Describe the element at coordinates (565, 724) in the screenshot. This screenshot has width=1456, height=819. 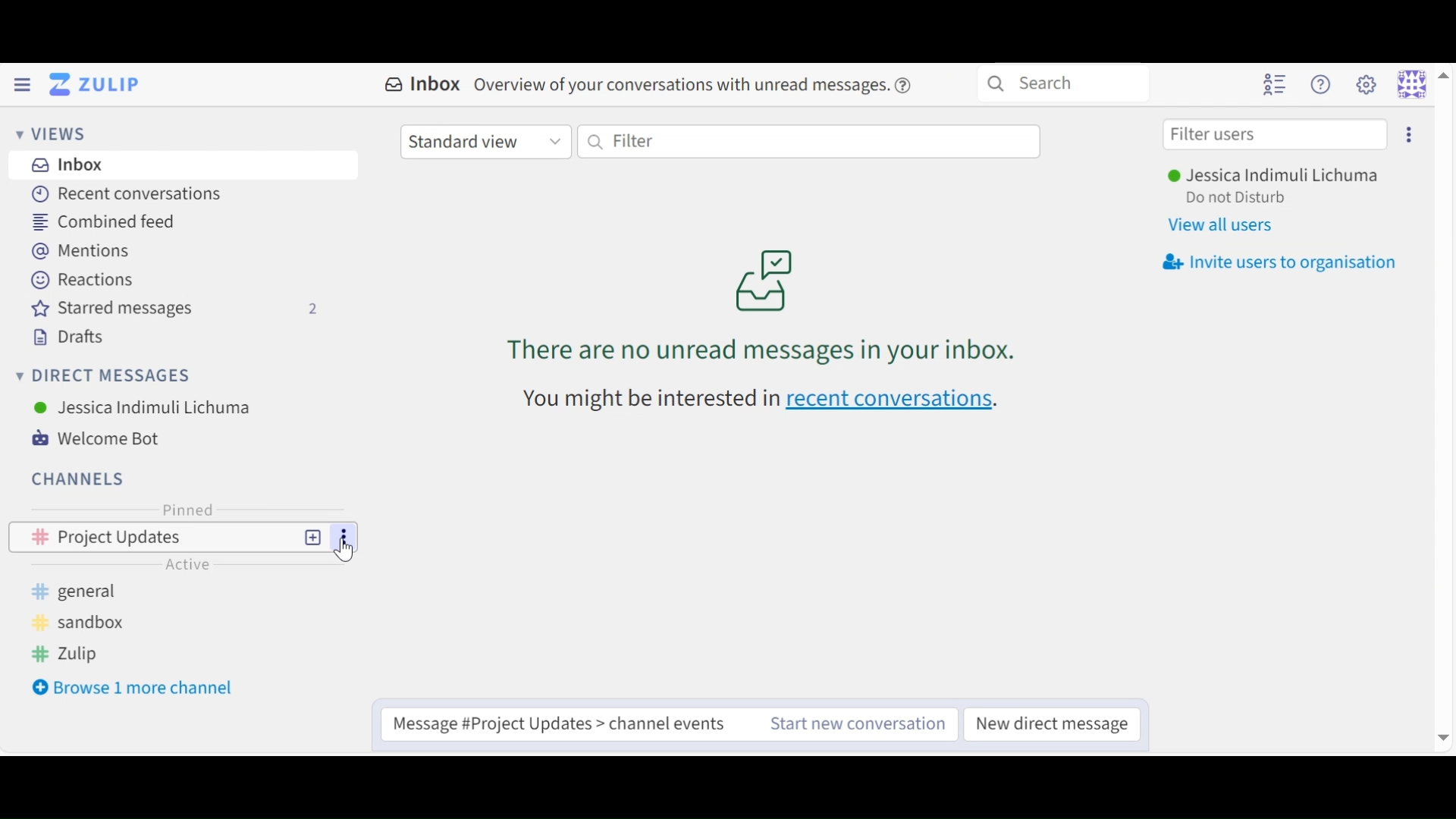
I see `Compose message` at that location.